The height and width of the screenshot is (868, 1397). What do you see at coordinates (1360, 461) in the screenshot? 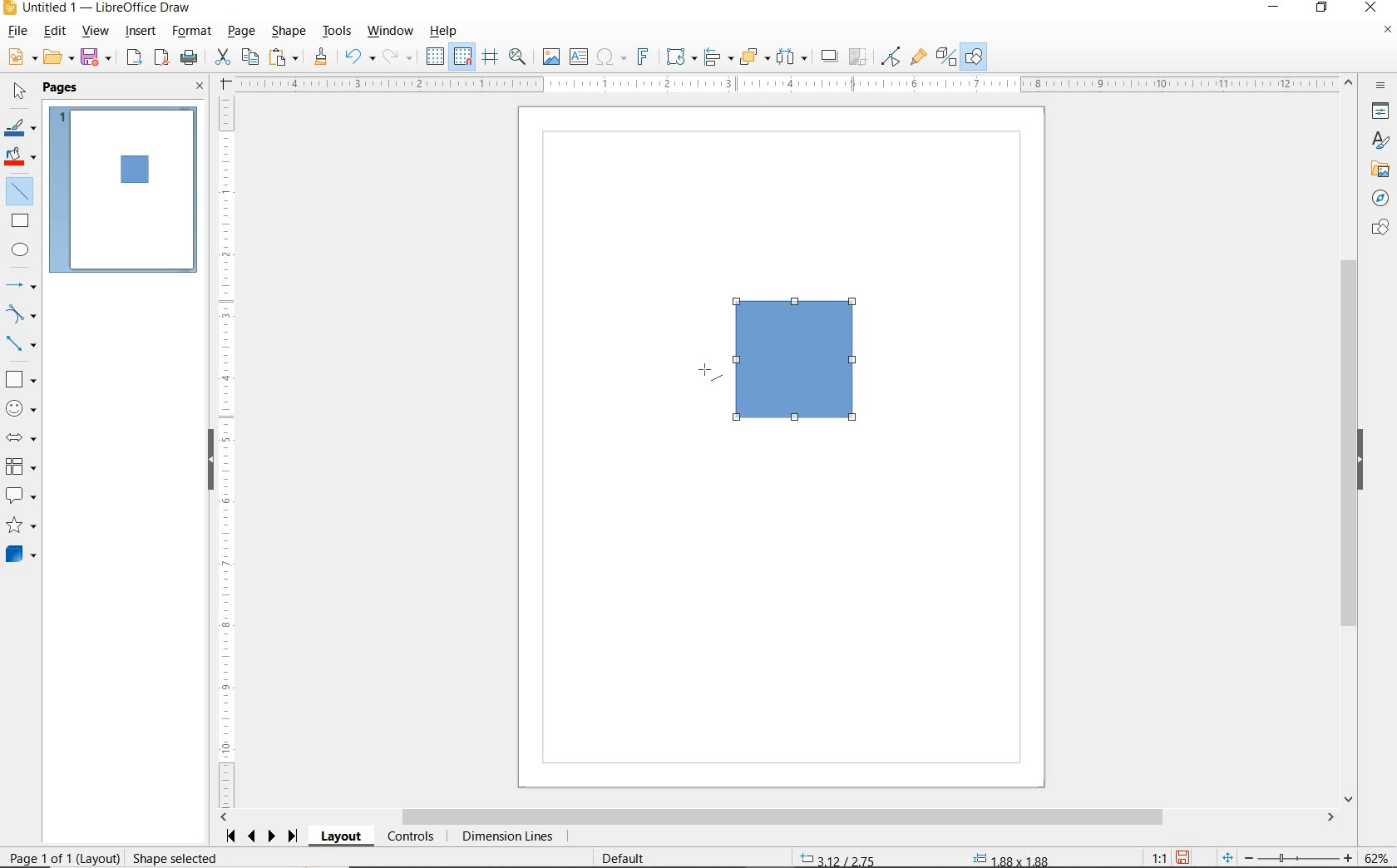
I see `HIDE` at bounding box center [1360, 461].